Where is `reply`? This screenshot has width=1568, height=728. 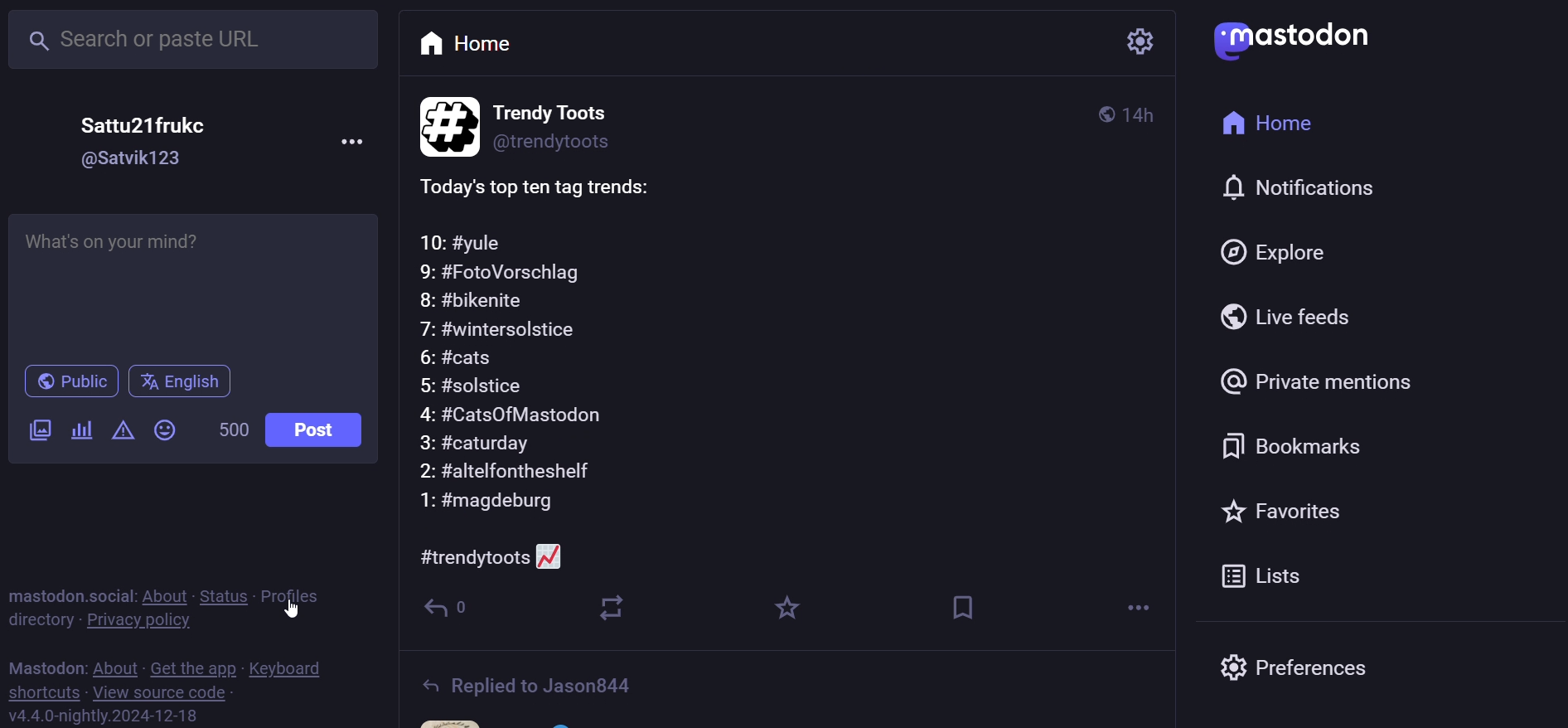 reply is located at coordinates (446, 611).